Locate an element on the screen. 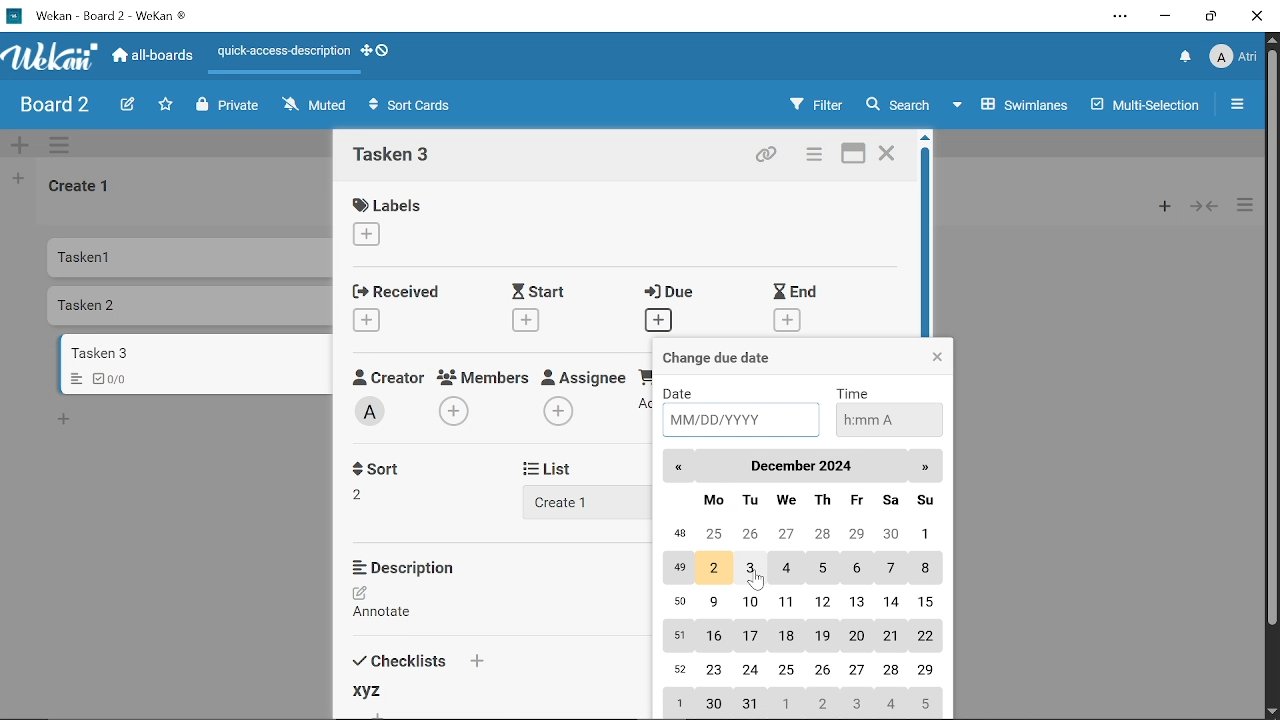 This screenshot has width=1280, height=720. Sort cards is located at coordinates (415, 107).